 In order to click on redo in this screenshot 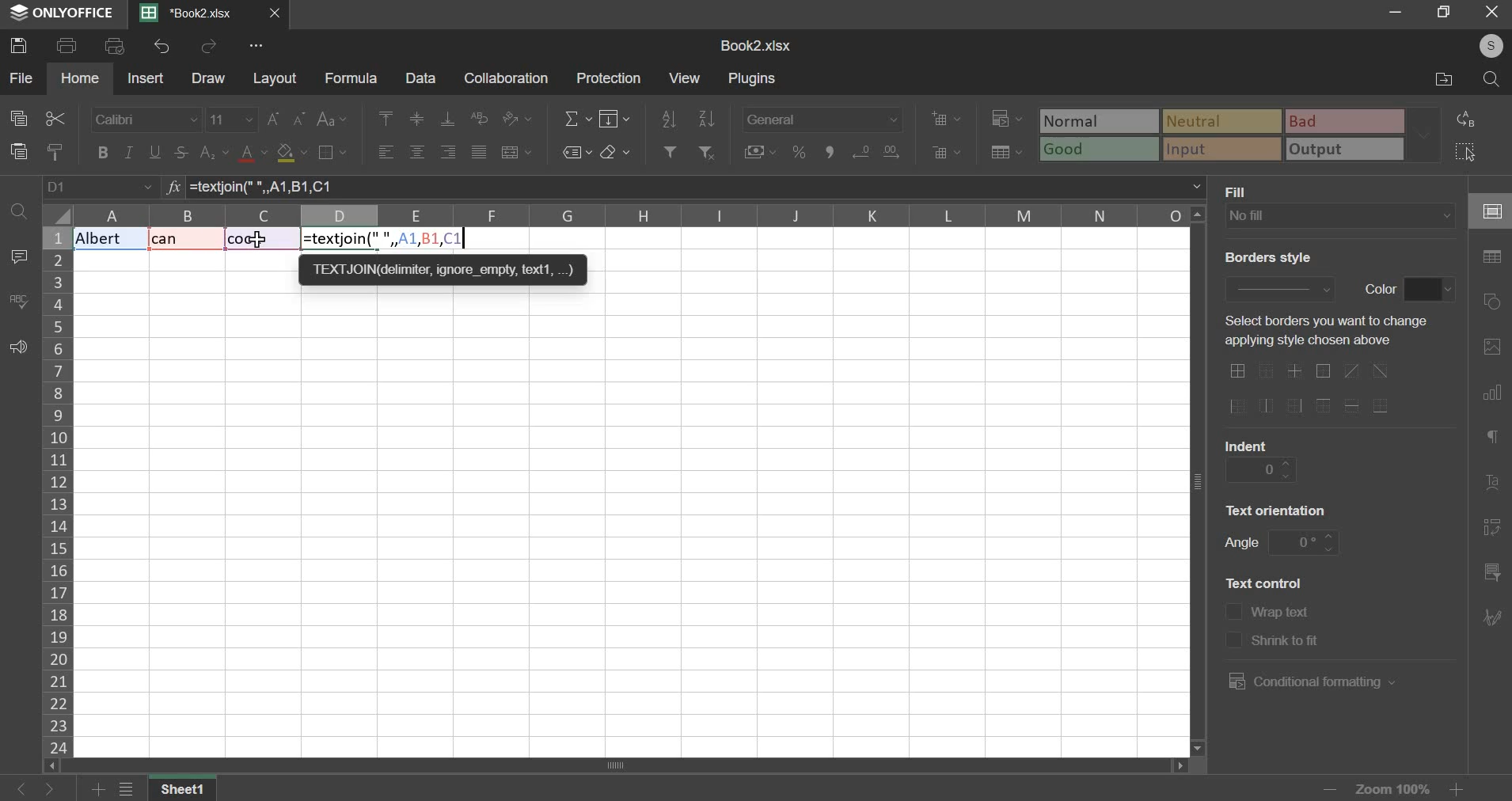, I will do `click(211, 47)`.